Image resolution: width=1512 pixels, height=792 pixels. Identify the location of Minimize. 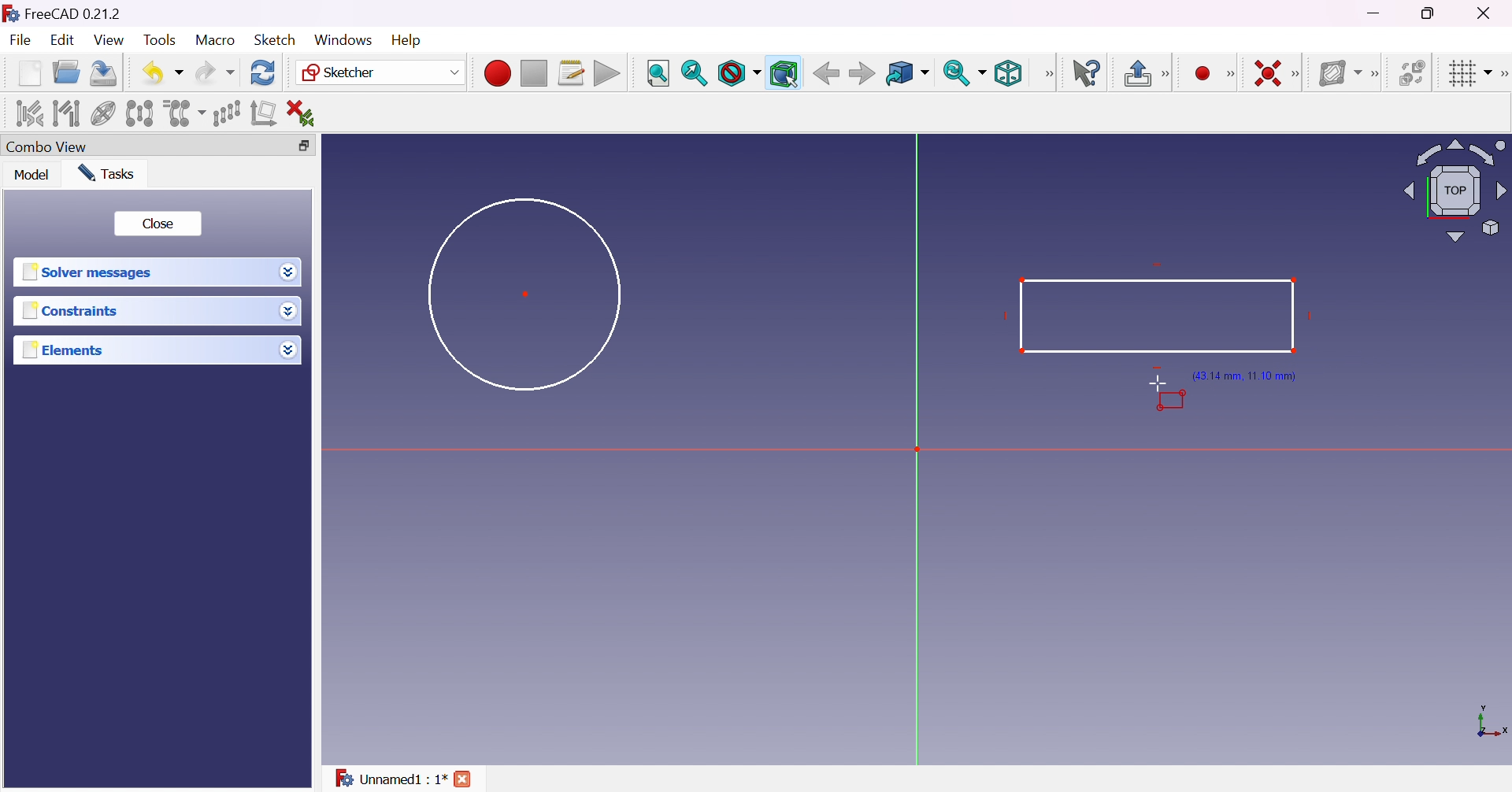
(1377, 13).